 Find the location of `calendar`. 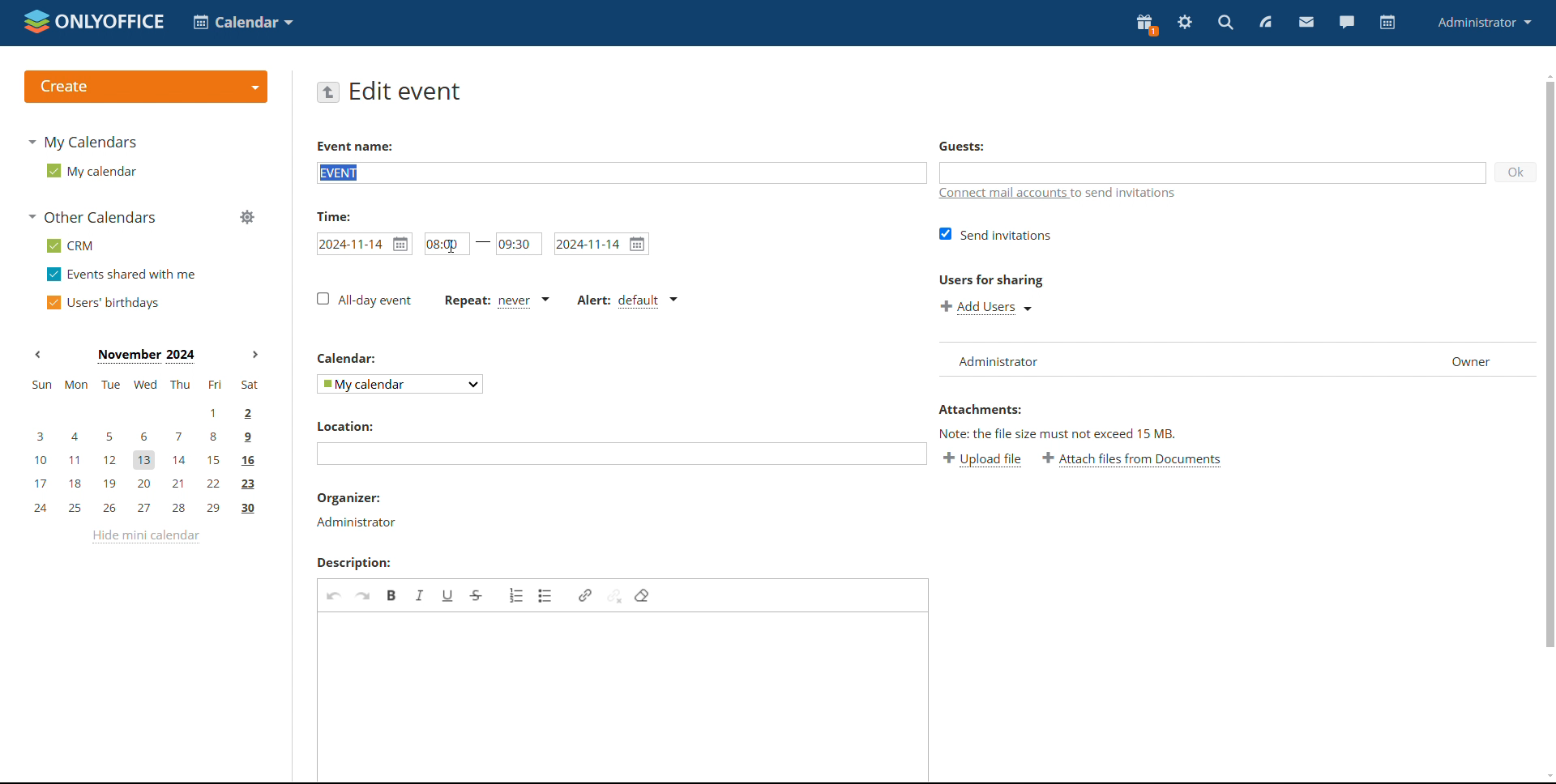

calendar is located at coordinates (345, 359).